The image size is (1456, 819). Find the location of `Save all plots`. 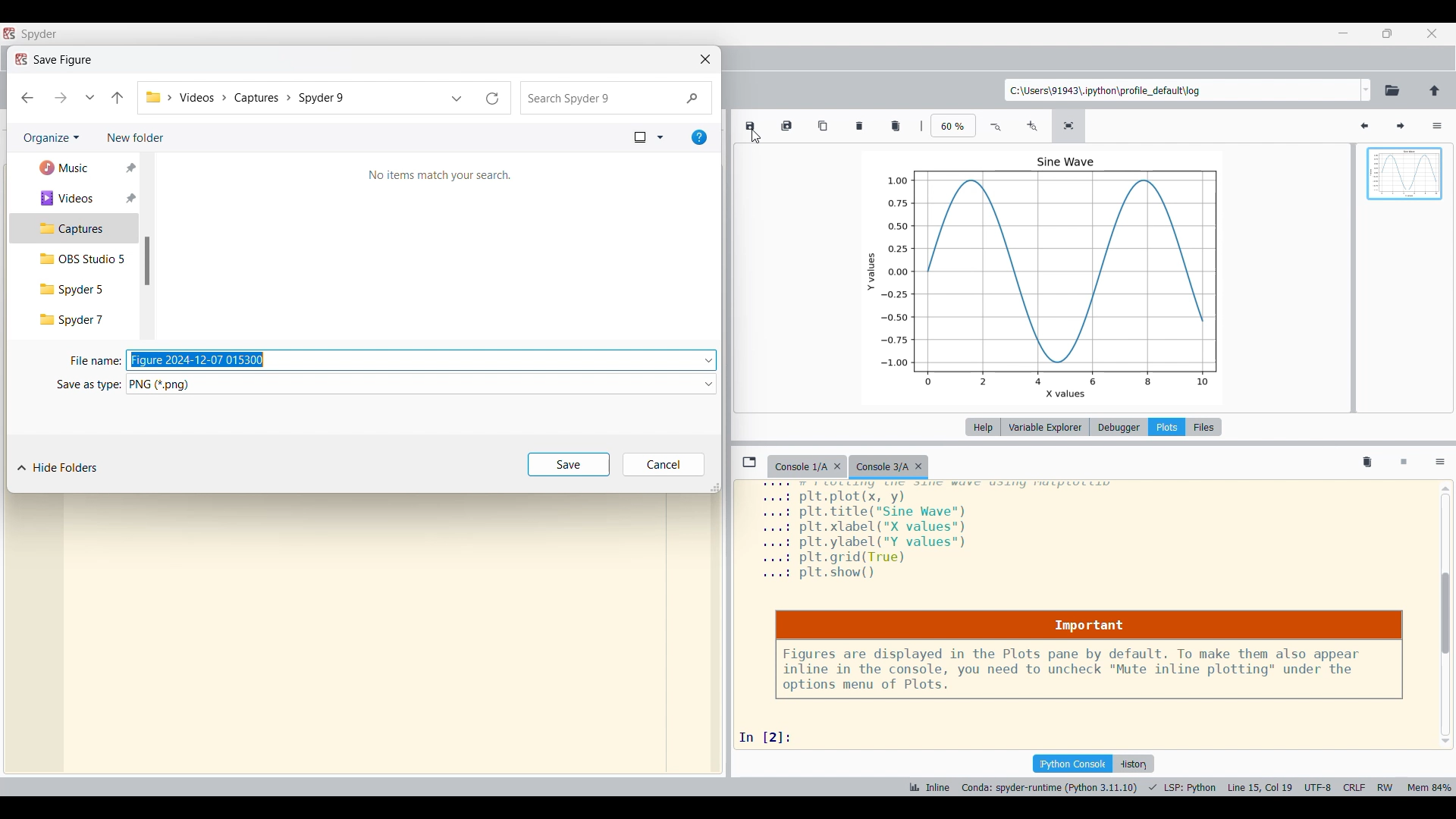

Save all plots is located at coordinates (786, 125).